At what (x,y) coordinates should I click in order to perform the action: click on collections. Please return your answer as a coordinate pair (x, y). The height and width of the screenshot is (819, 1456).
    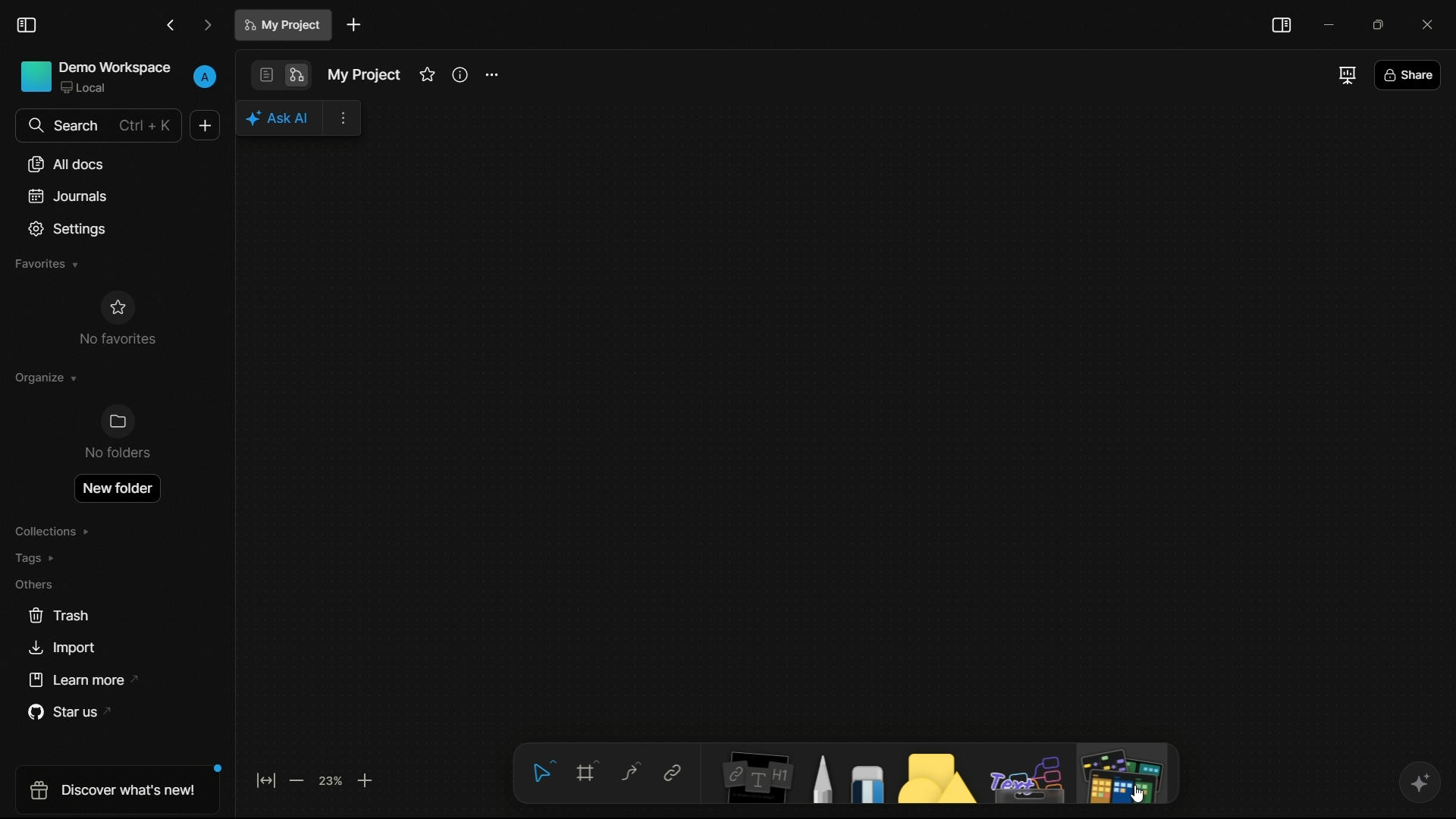
    Looking at the image, I should click on (52, 532).